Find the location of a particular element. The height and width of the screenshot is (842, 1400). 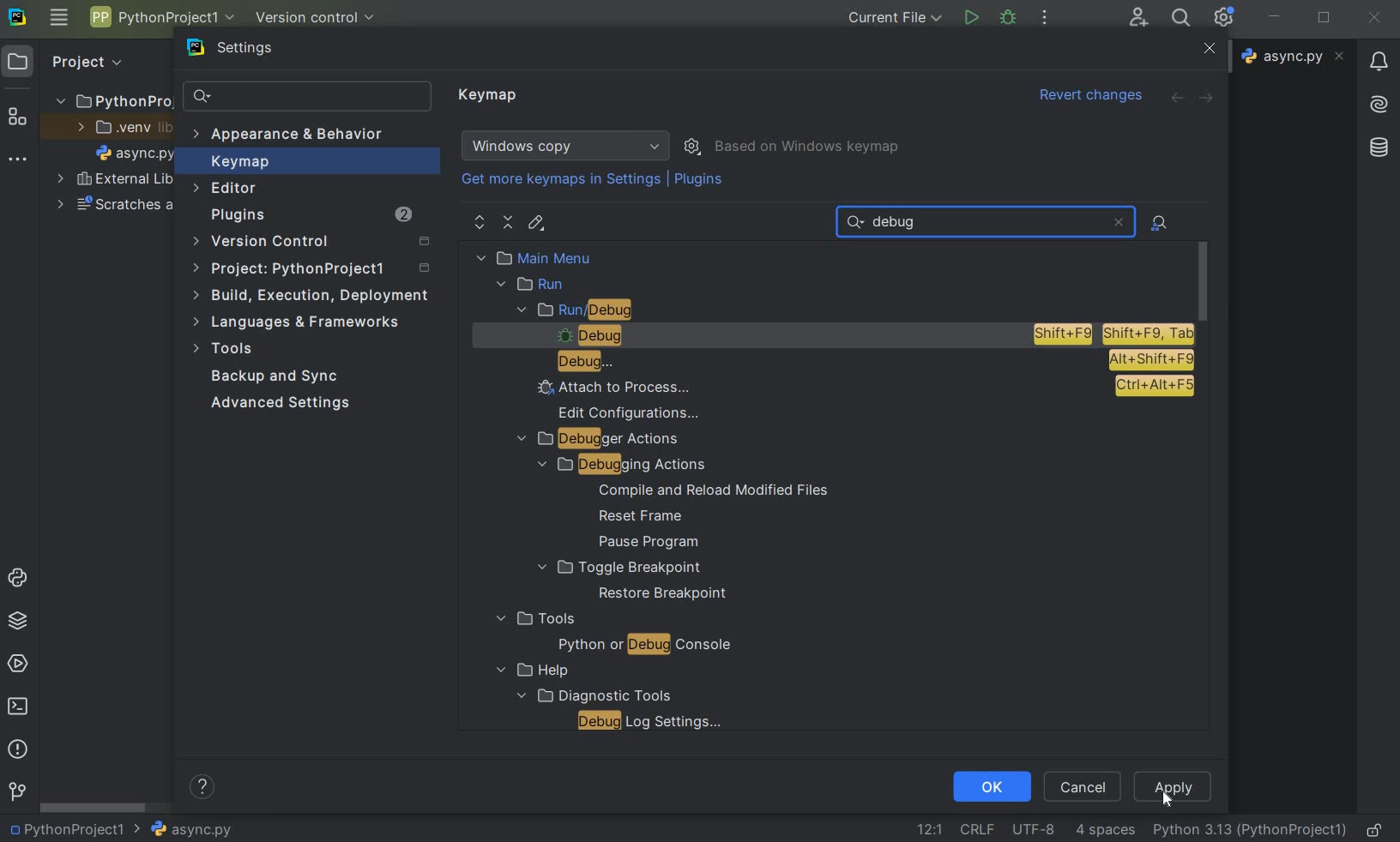

text is located at coordinates (901, 223).